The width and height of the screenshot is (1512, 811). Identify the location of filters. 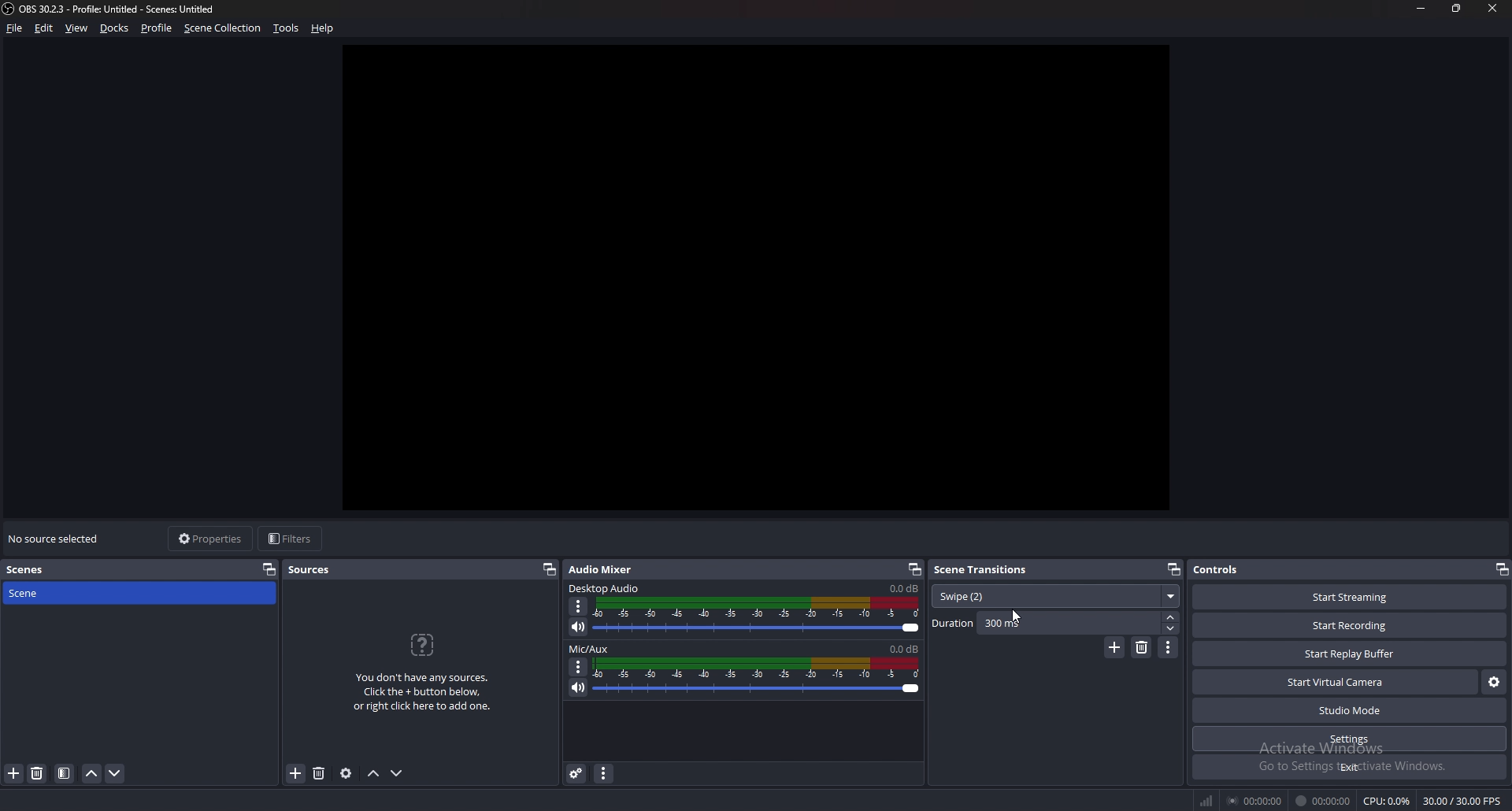
(292, 538).